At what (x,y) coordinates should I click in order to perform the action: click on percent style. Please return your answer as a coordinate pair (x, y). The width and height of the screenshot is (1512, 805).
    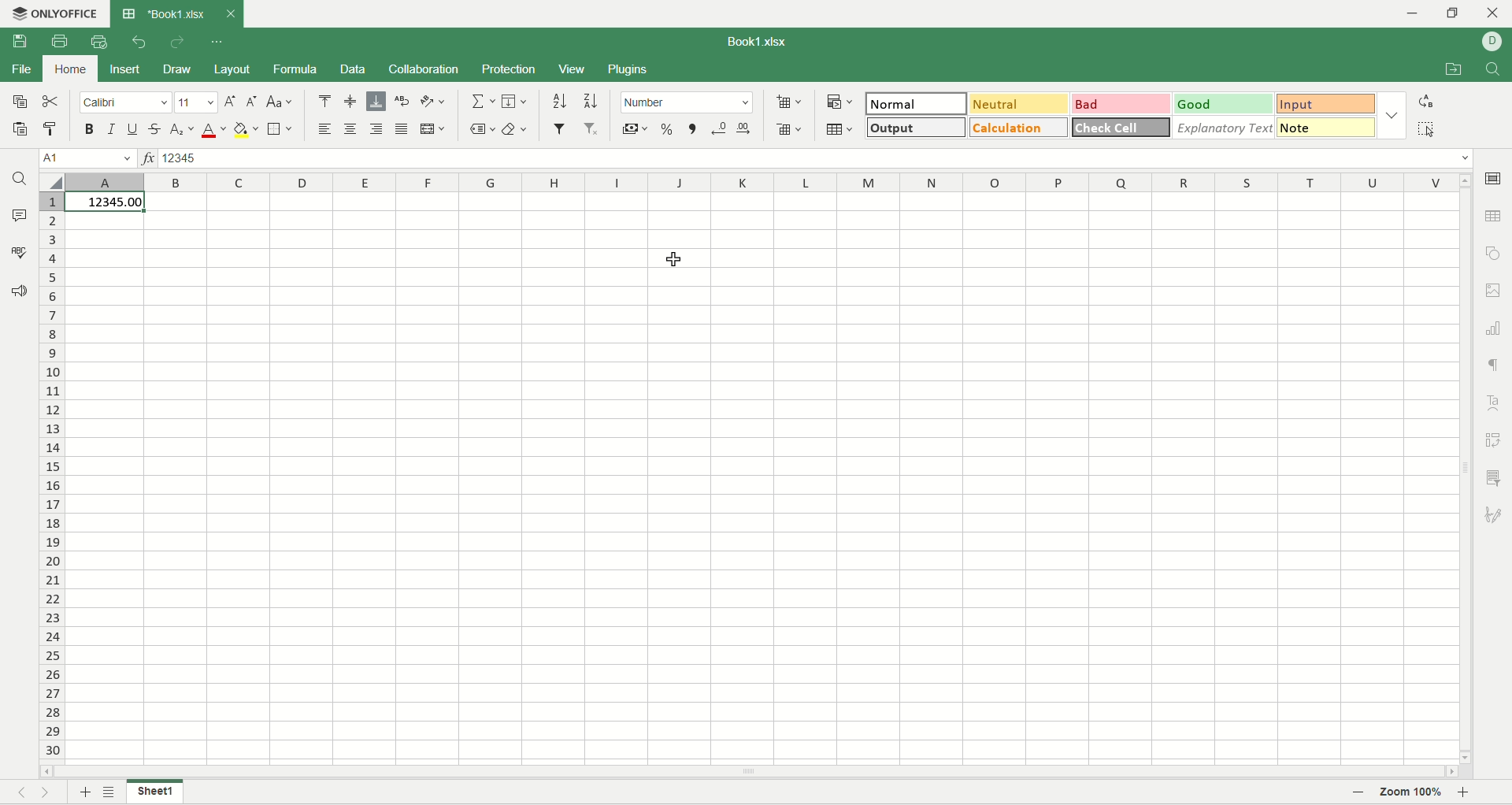
    Looking at the image, I should click on (667, 132).